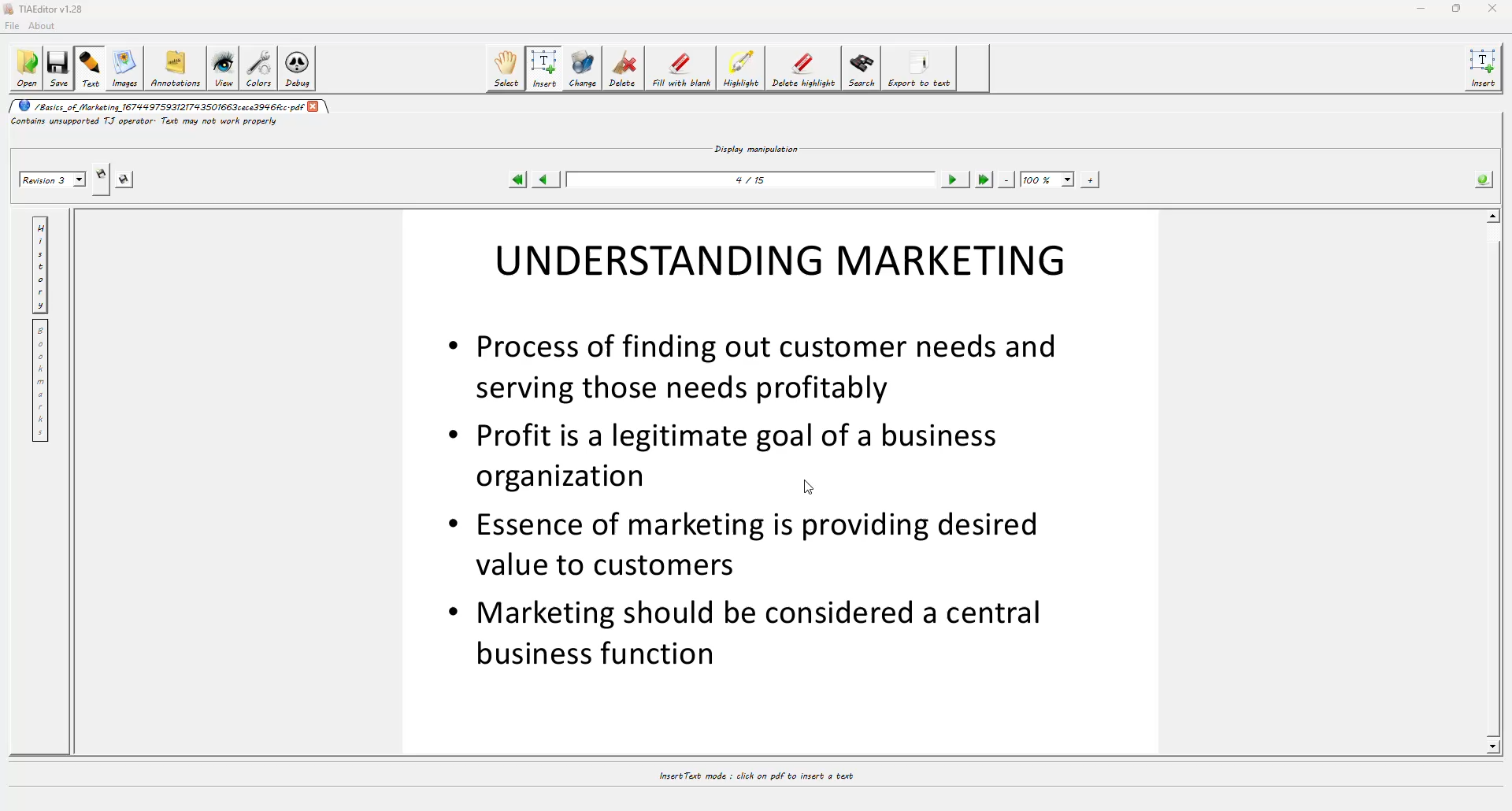  Describe the element at coordinates (754, 179) in the screenshot. I see `4/15` at that location.